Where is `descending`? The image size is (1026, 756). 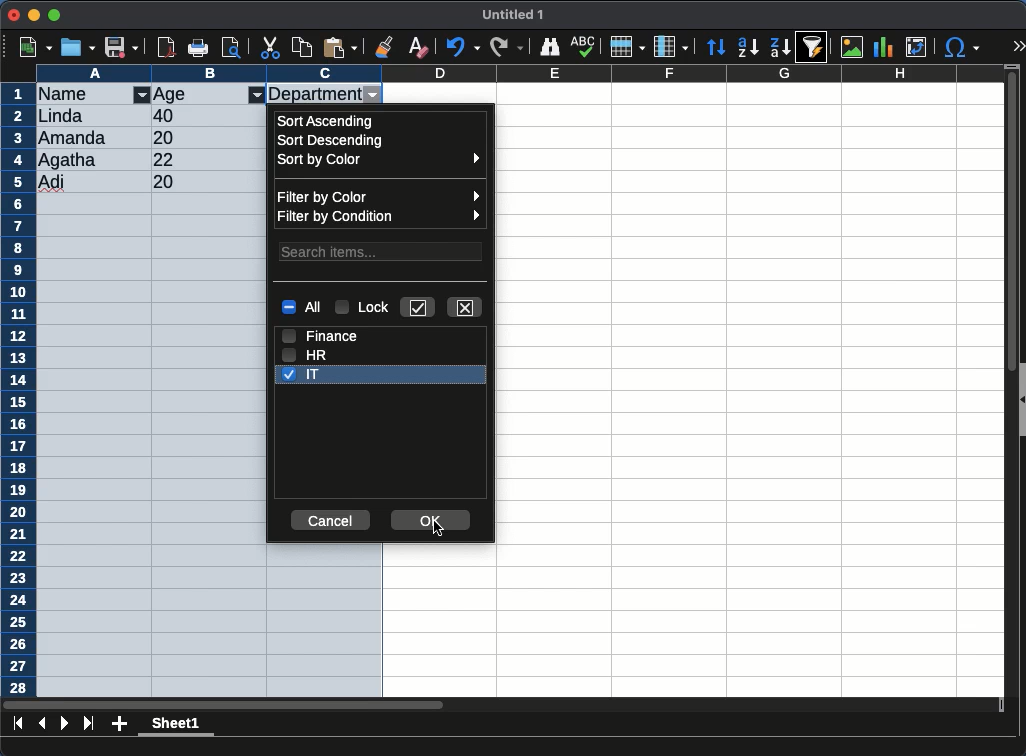 descending is located at coordinates (748, 48).